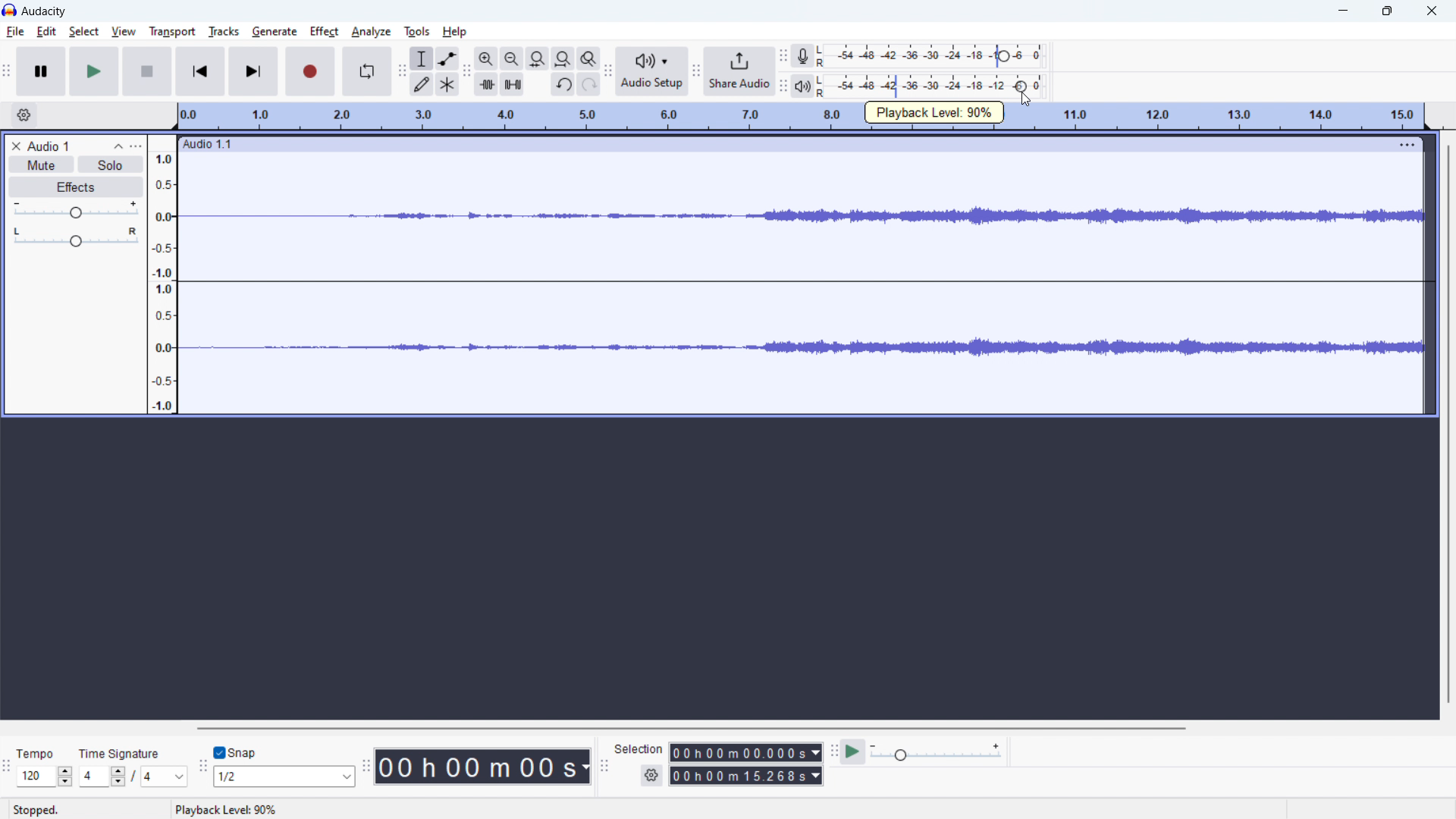 This screenshot has width=1456, height=819. Describe the element at coordinates (7, 763) in the screenshot. I see `time signature toolbar` at that location.